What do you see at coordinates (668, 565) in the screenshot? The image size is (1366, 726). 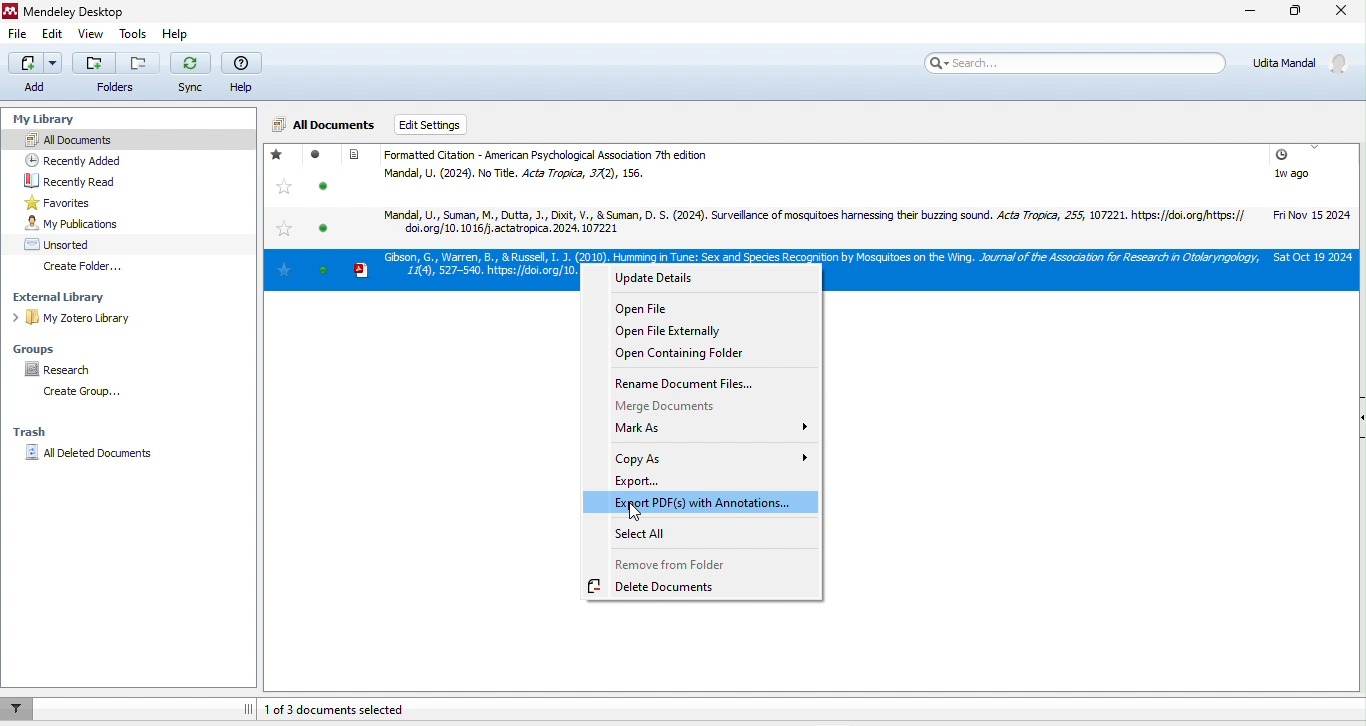 I see `remove from folder` at bounding box center [668, 565].